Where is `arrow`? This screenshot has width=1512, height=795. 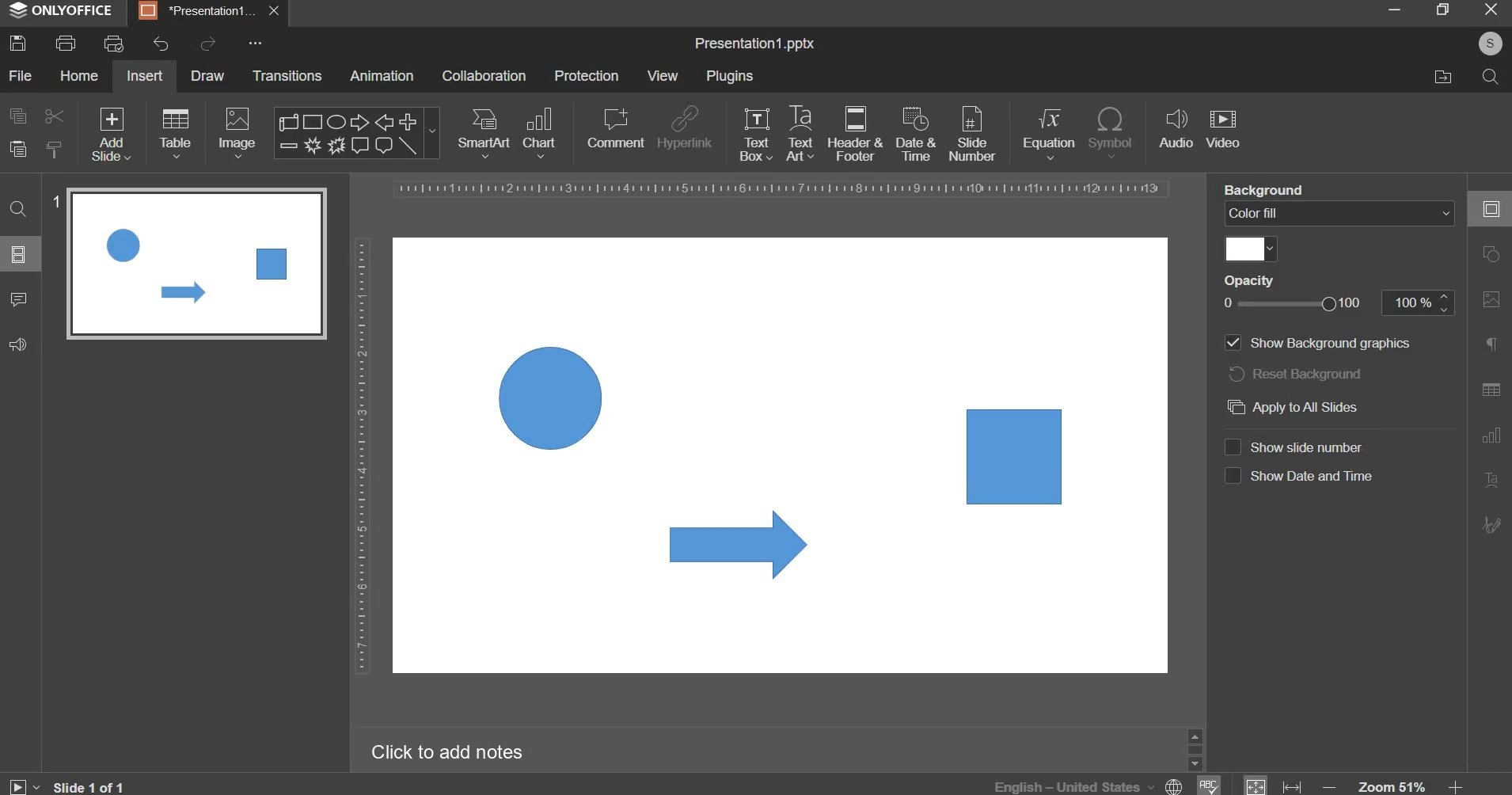
arrow is located at coordinates (739, 543).